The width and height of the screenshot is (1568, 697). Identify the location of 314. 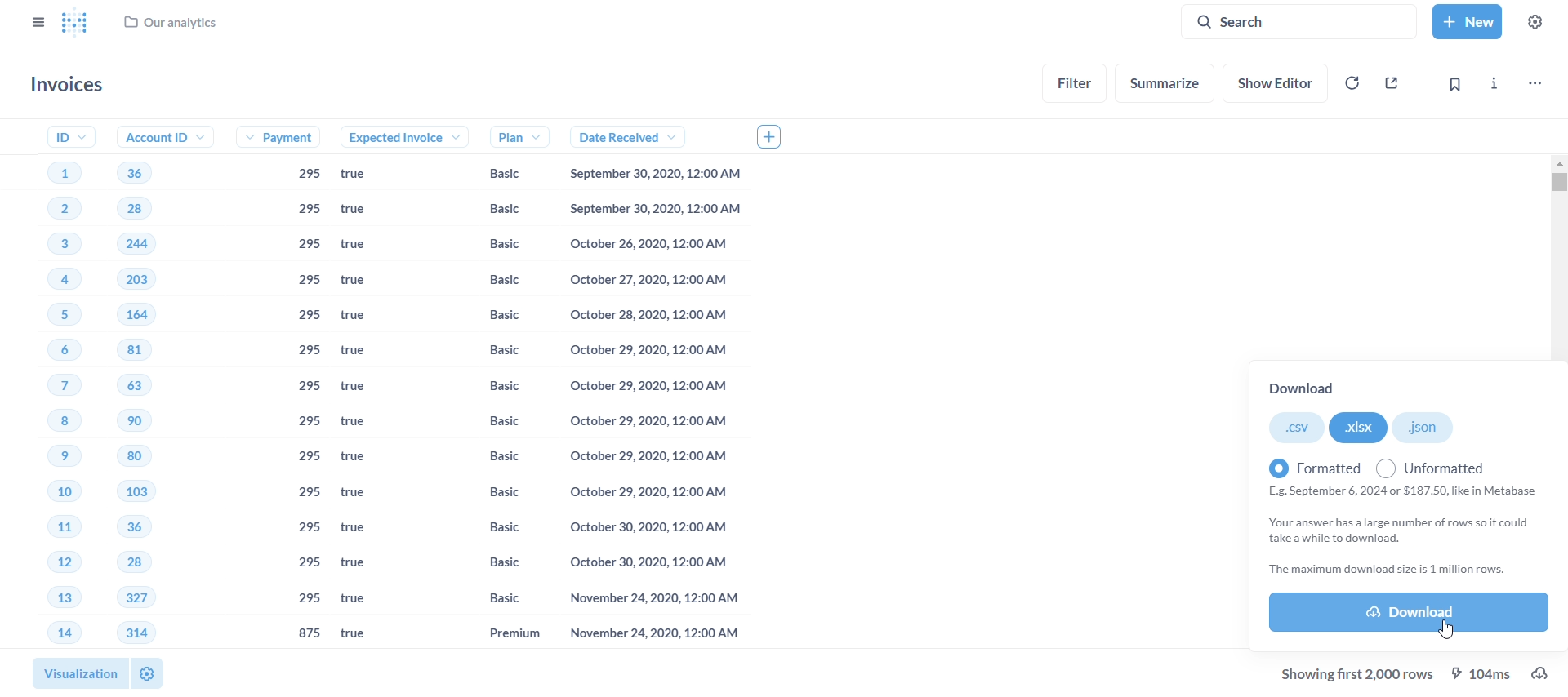
(136, 632).